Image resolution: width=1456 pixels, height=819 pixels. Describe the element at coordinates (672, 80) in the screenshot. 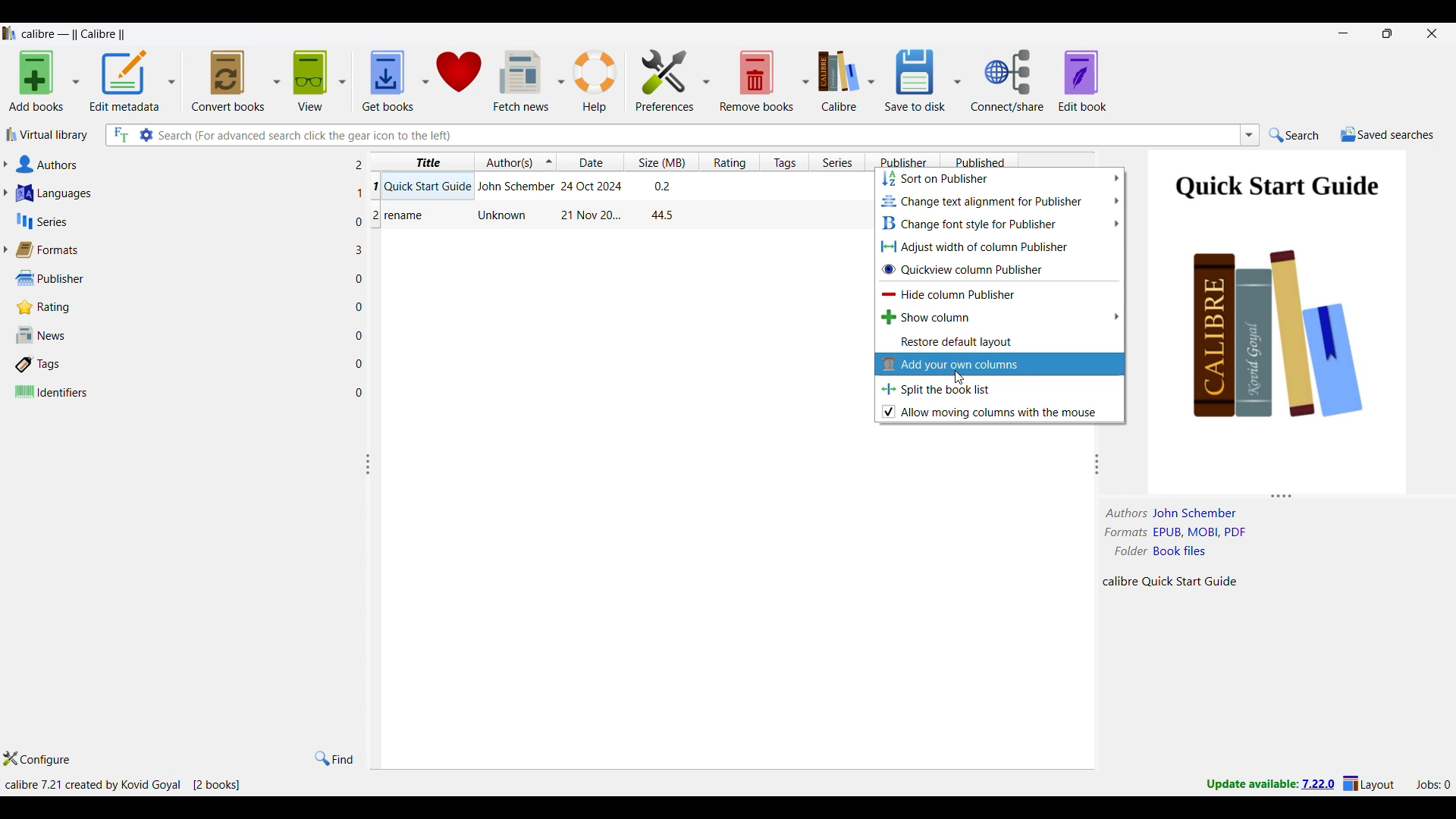

I see `Preference options` at that location.